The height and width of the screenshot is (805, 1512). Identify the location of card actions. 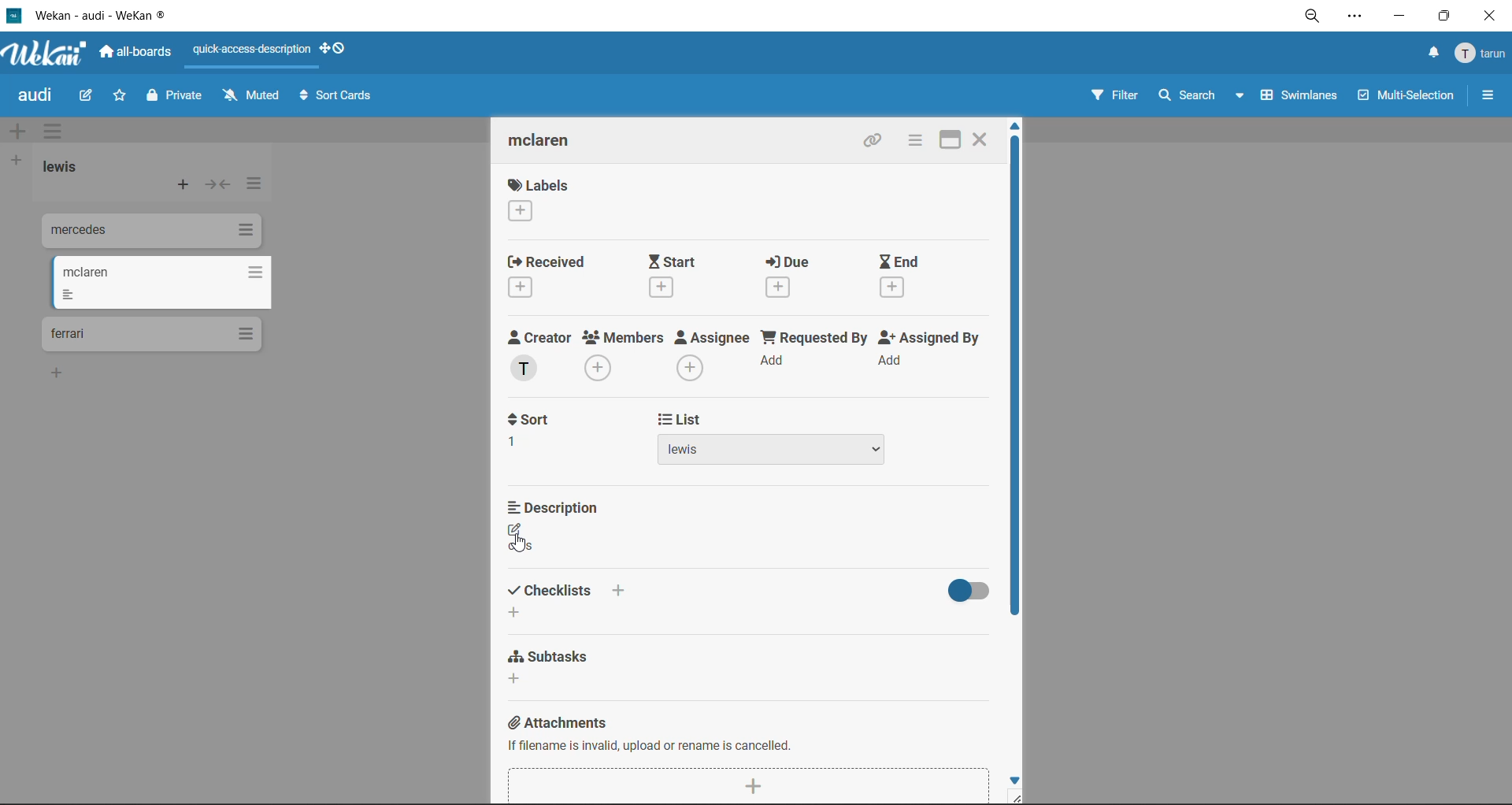
(914, 140).